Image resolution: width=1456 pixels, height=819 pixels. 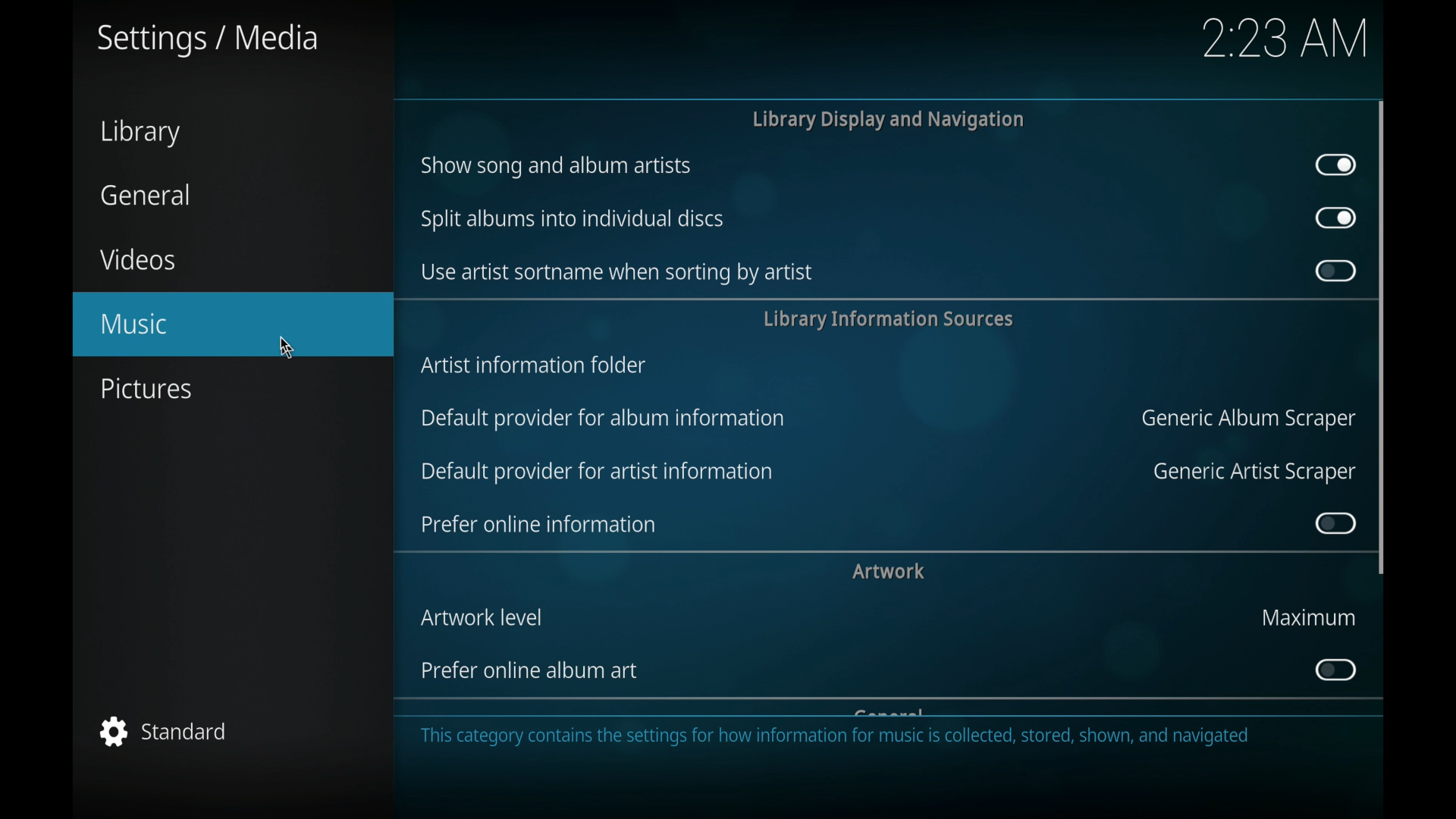 What do you see at coordinates (888, 319) in the screenshot?
I see `library information source` at bounding box center [888, 319].